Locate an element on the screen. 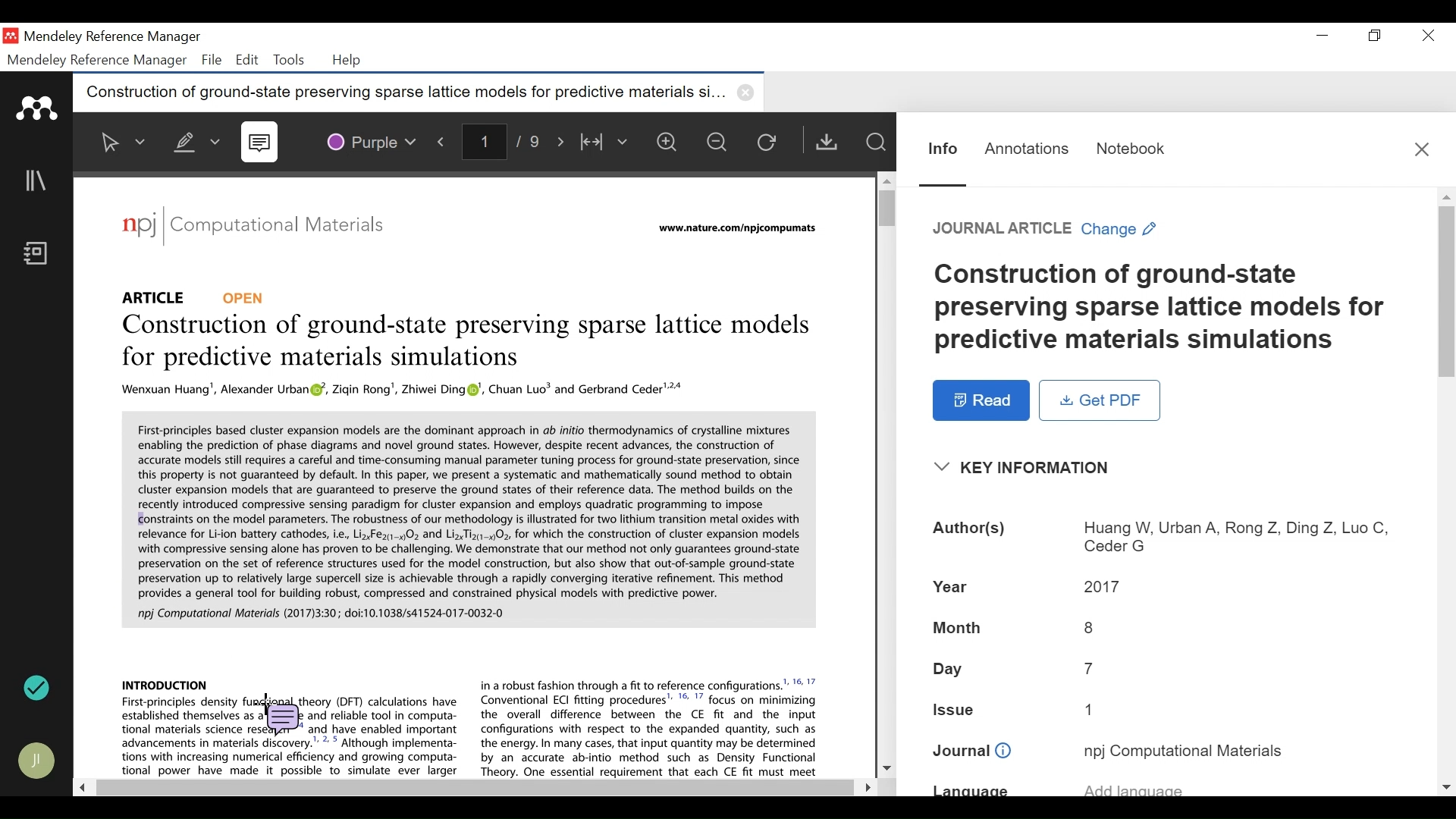 This screenshot has width=1456, height=819. Library is located at coordinates (38, 181).